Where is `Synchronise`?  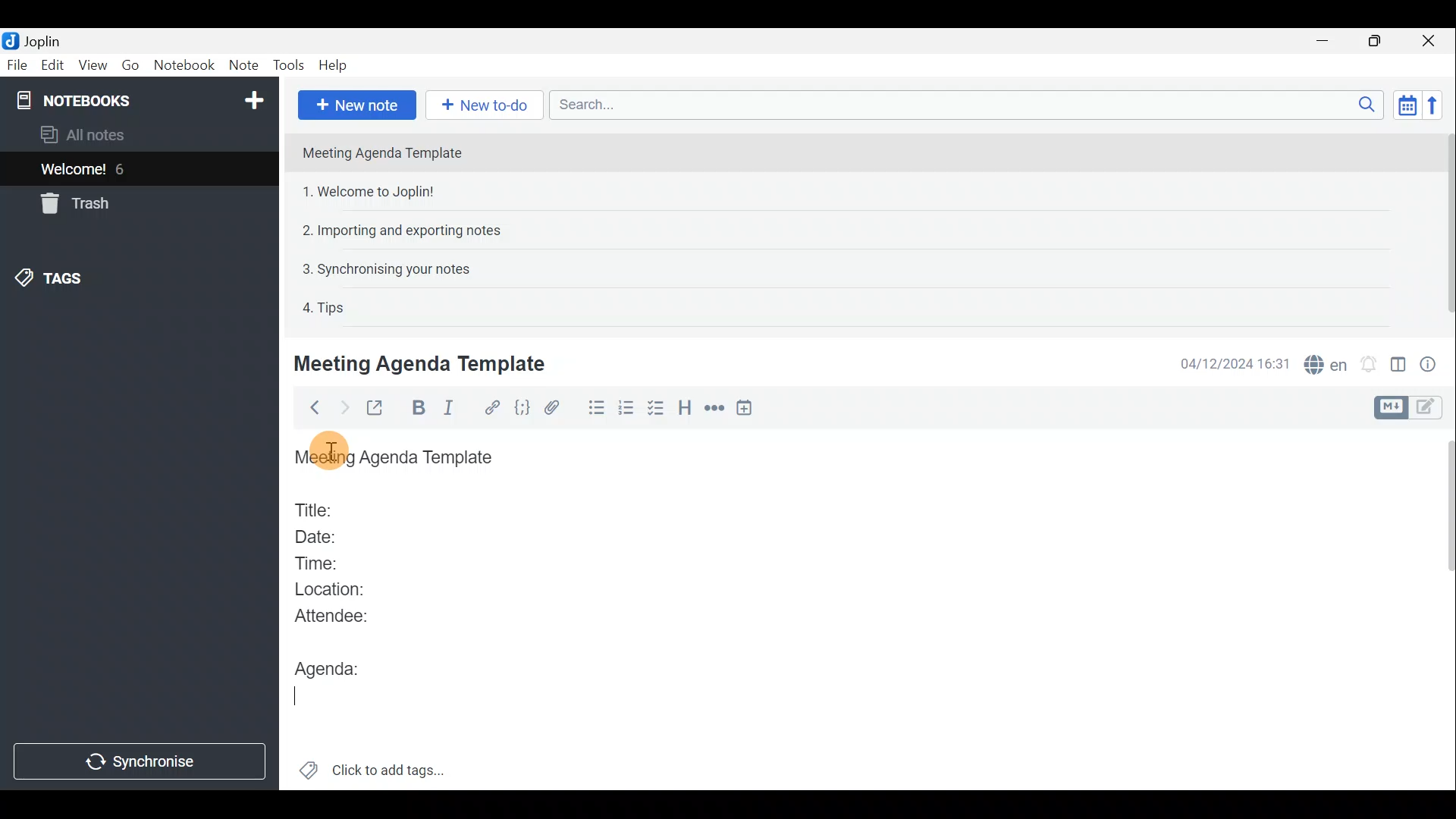 Synchronise is located at coordinates (139, 763).